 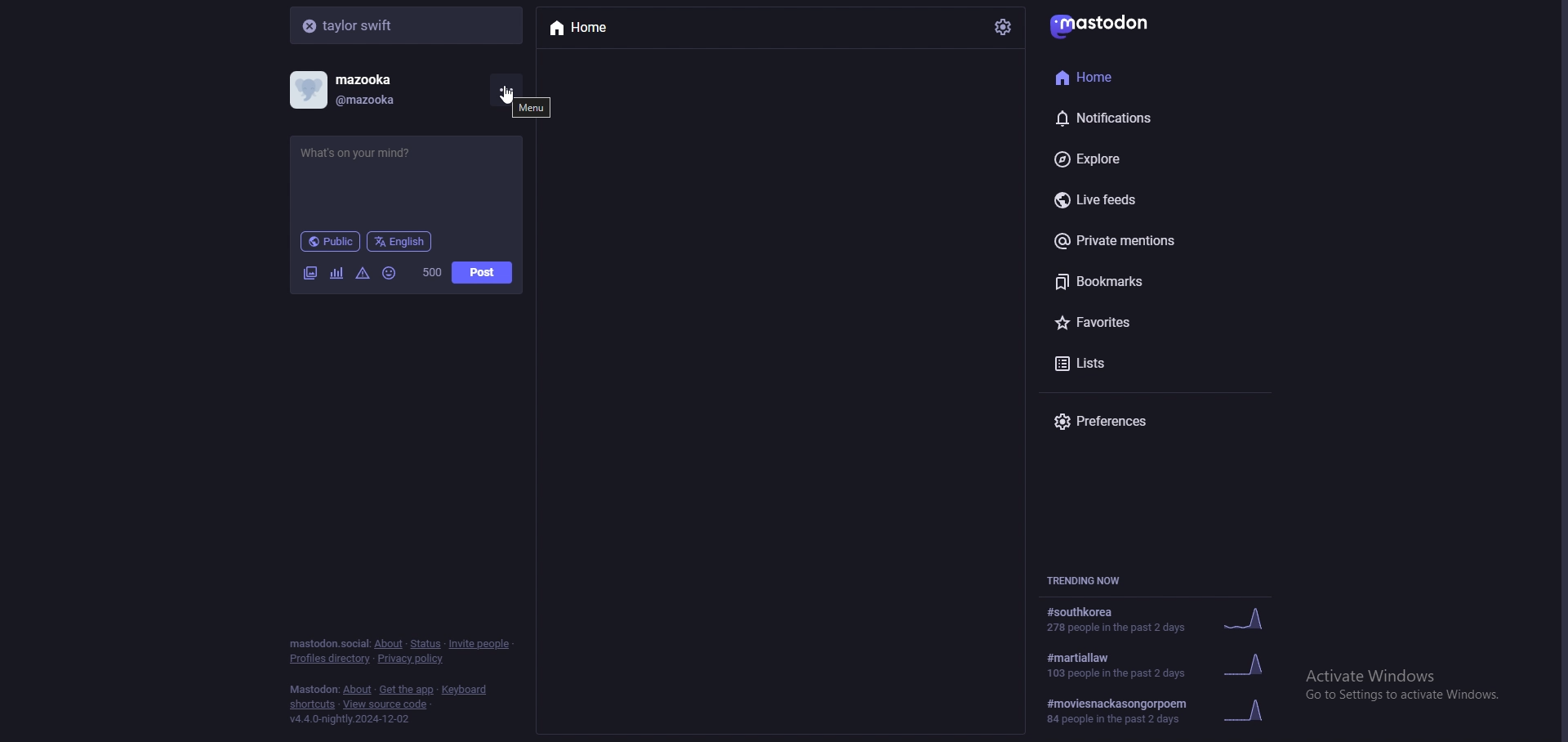 What do you see at coordinates (1147, 364) in the screenshot?
I see `lists` at bounding box center [1147, 364].